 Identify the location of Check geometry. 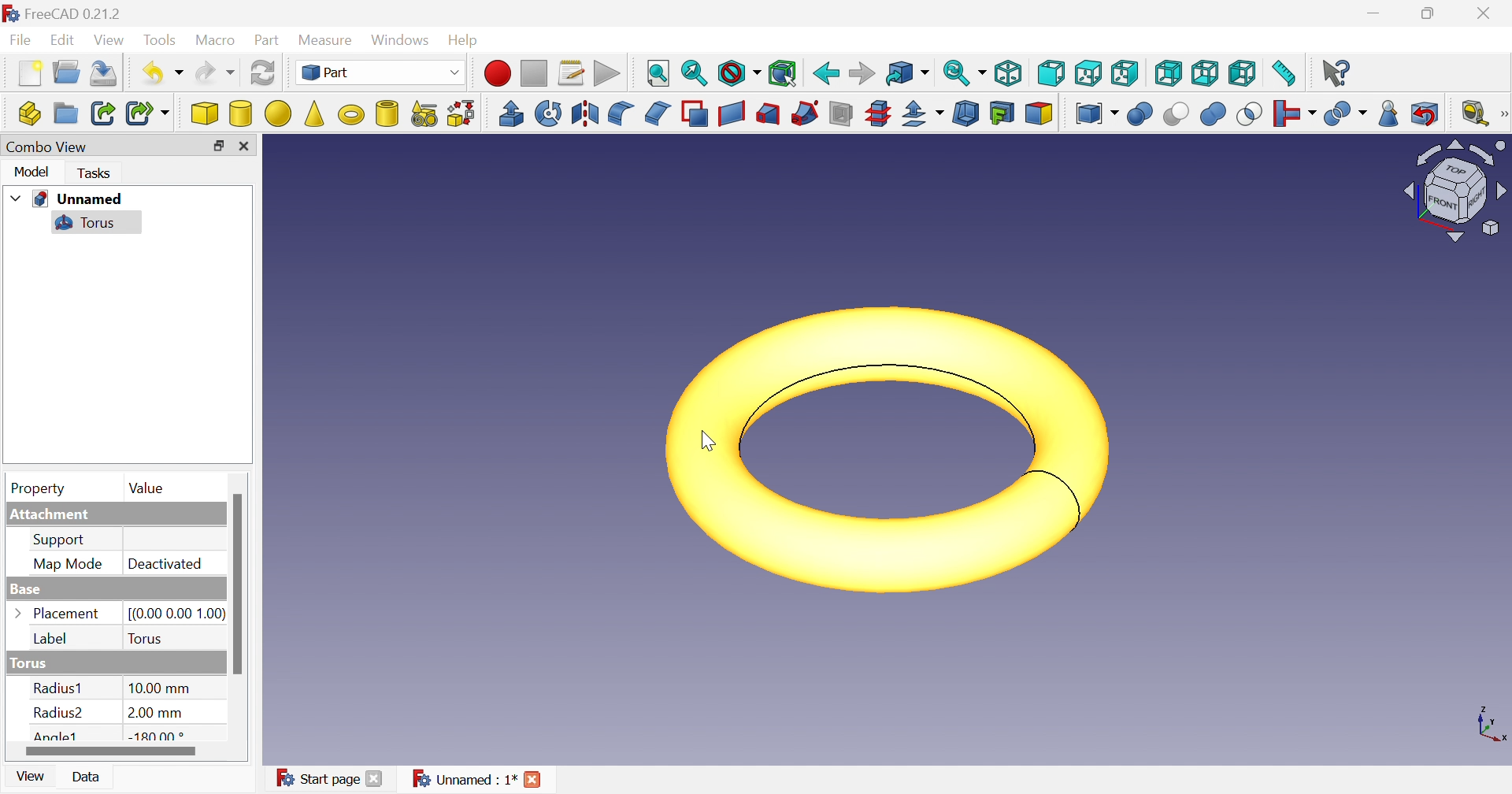
(1386, 117).